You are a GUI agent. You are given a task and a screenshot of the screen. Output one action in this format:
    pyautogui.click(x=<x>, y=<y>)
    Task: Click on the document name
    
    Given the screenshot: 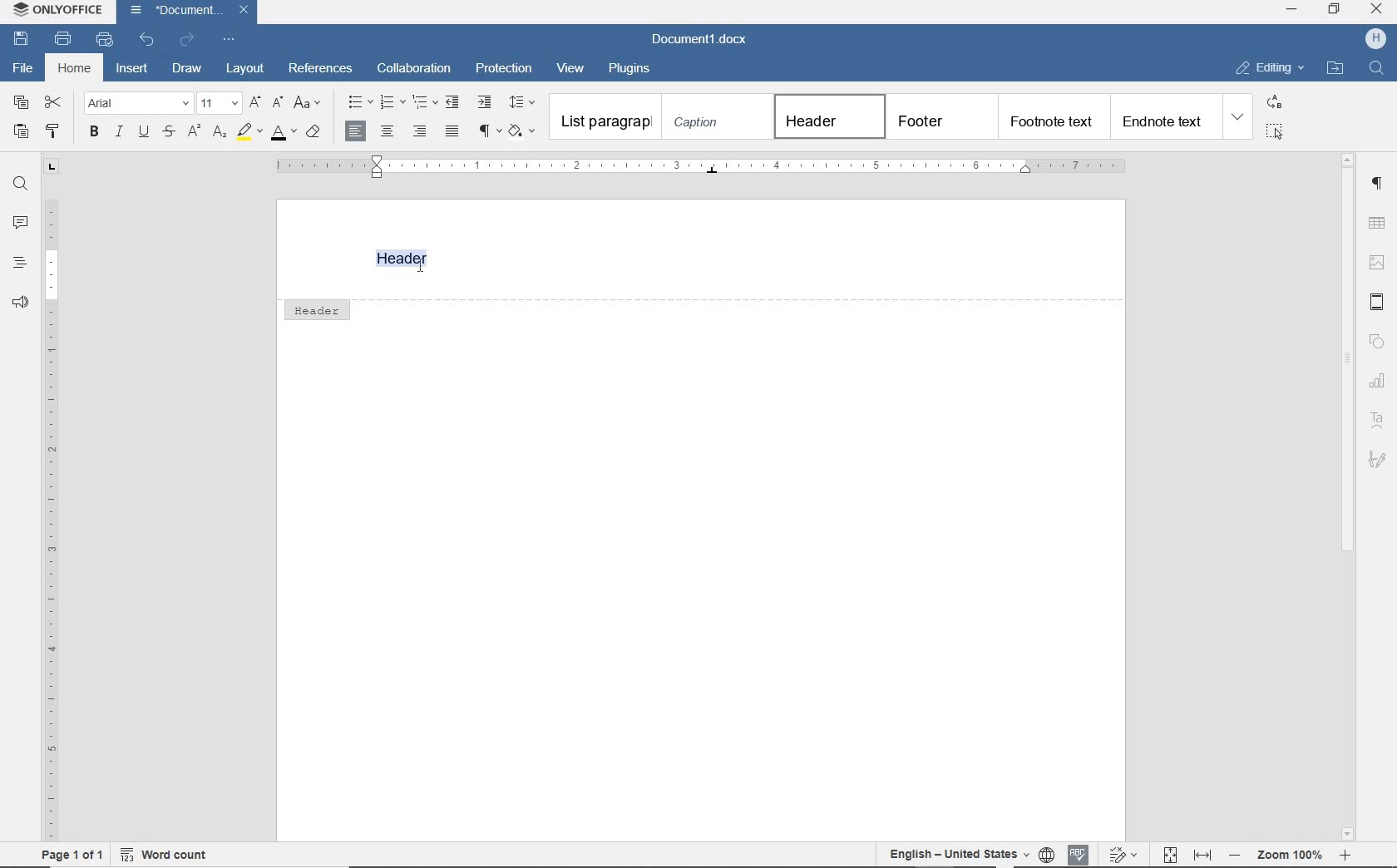 What is the action you would take?
    pyautogui.click(x=176, y=11)
    